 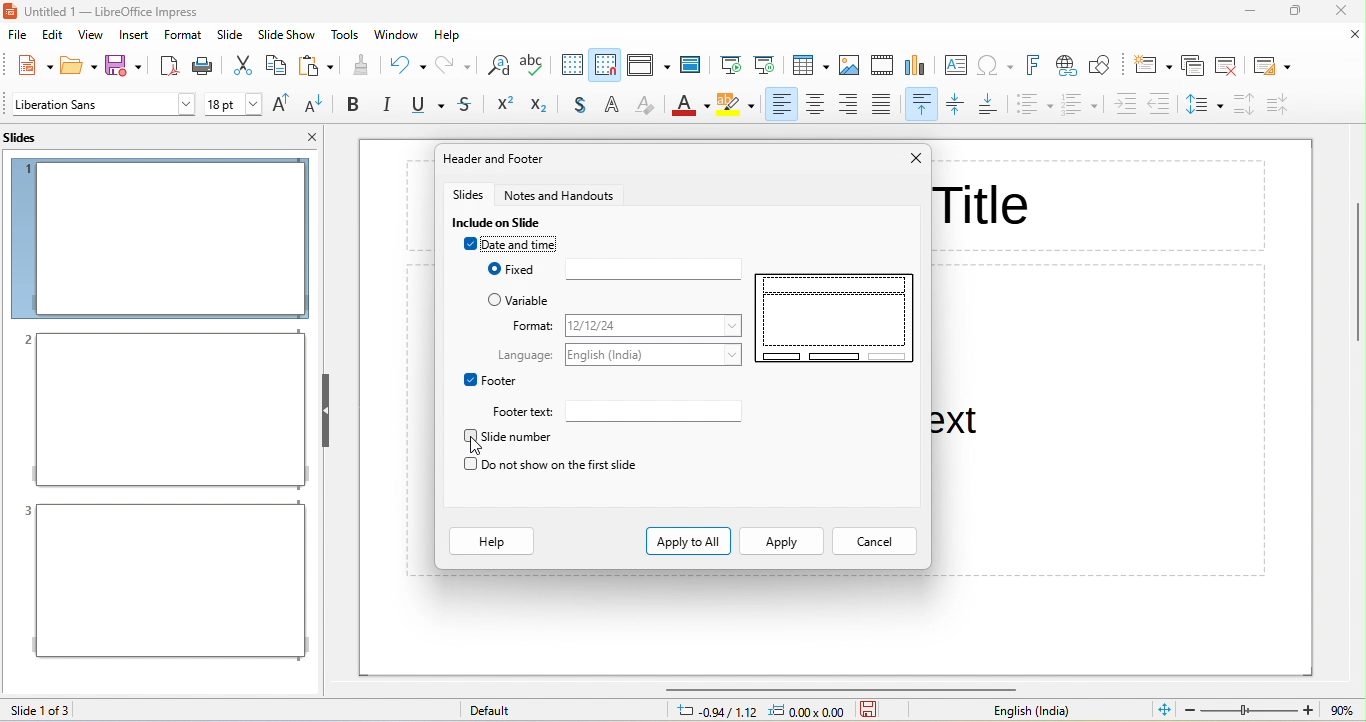 I want to click on increase paragraph spacing, so click(x=1241, y=105).